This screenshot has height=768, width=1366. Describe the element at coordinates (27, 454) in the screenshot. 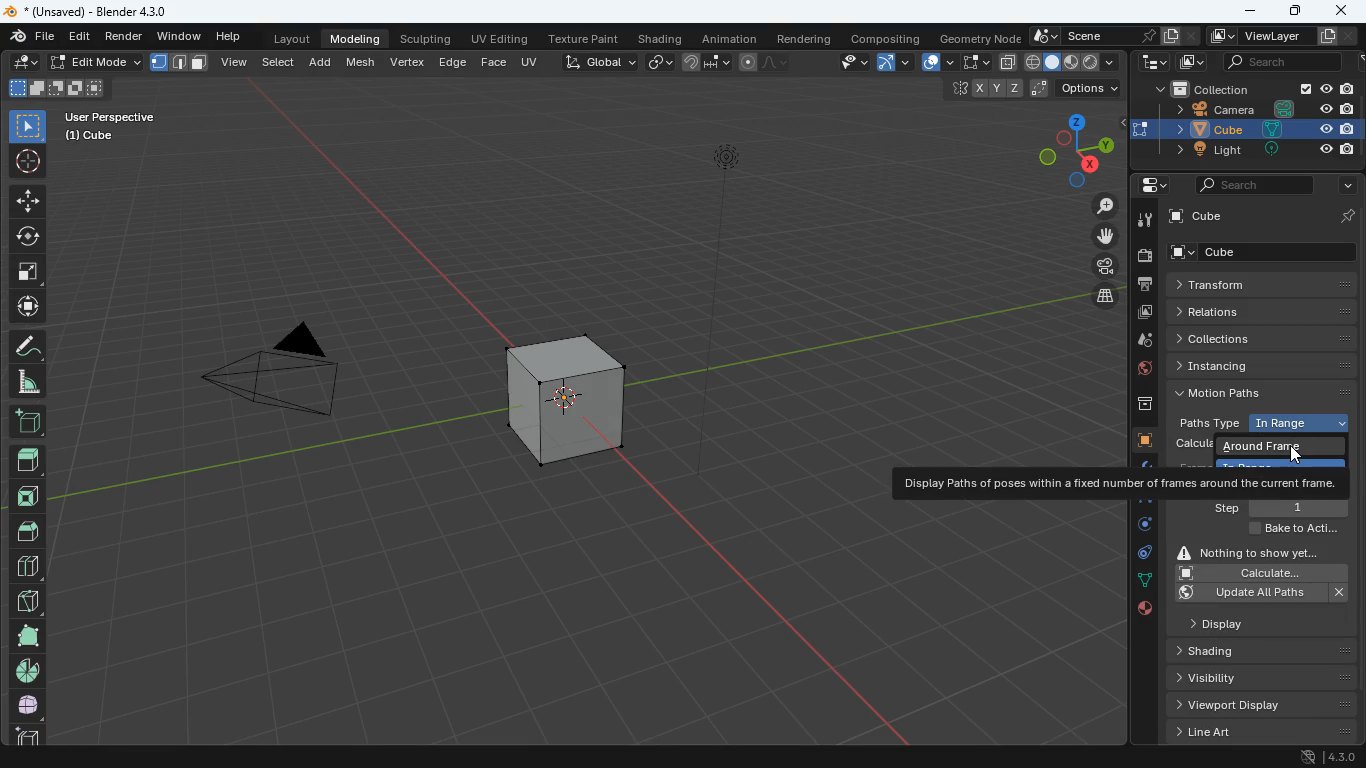

I see `up` at that location.